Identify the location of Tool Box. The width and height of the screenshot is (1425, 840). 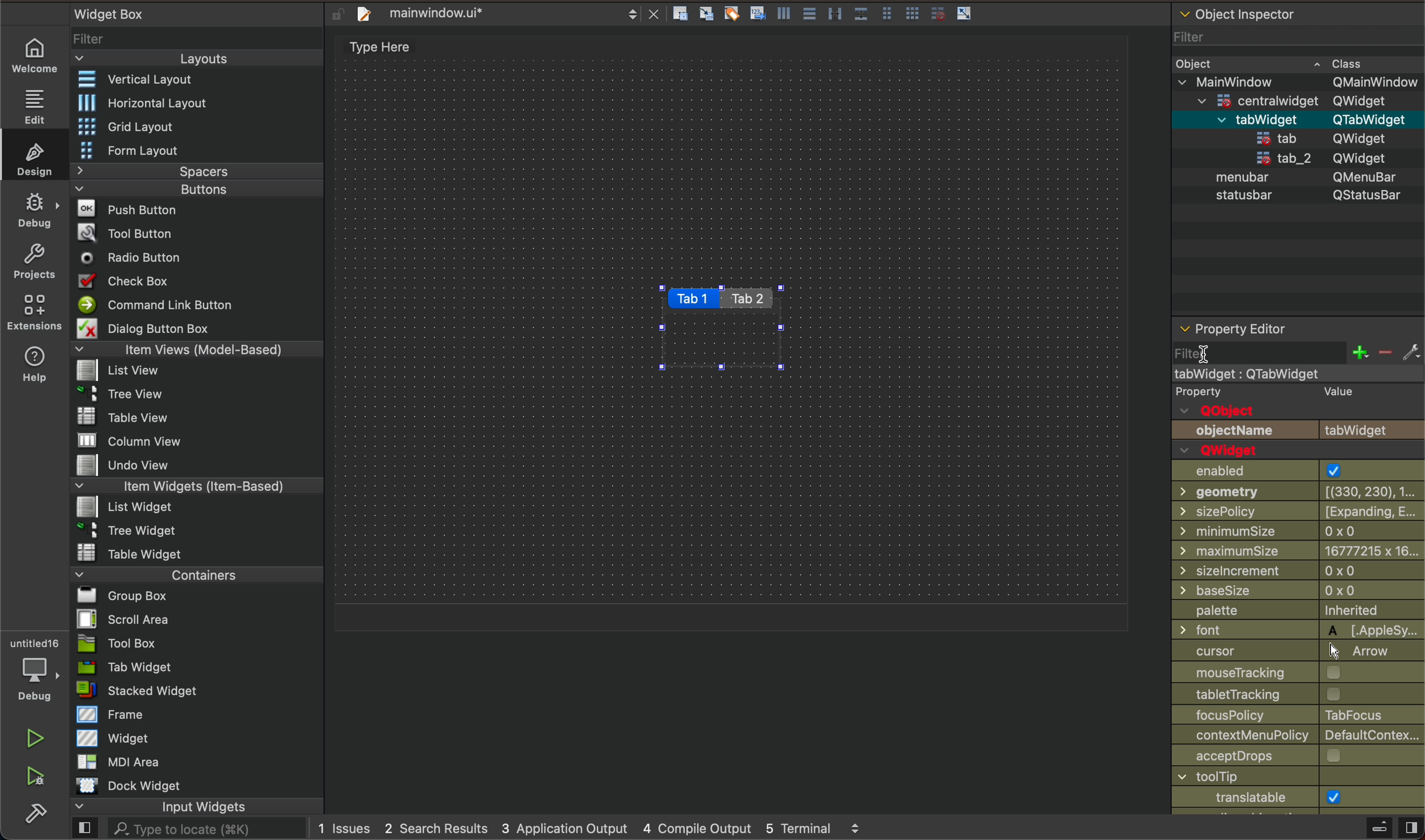
(134, 645).